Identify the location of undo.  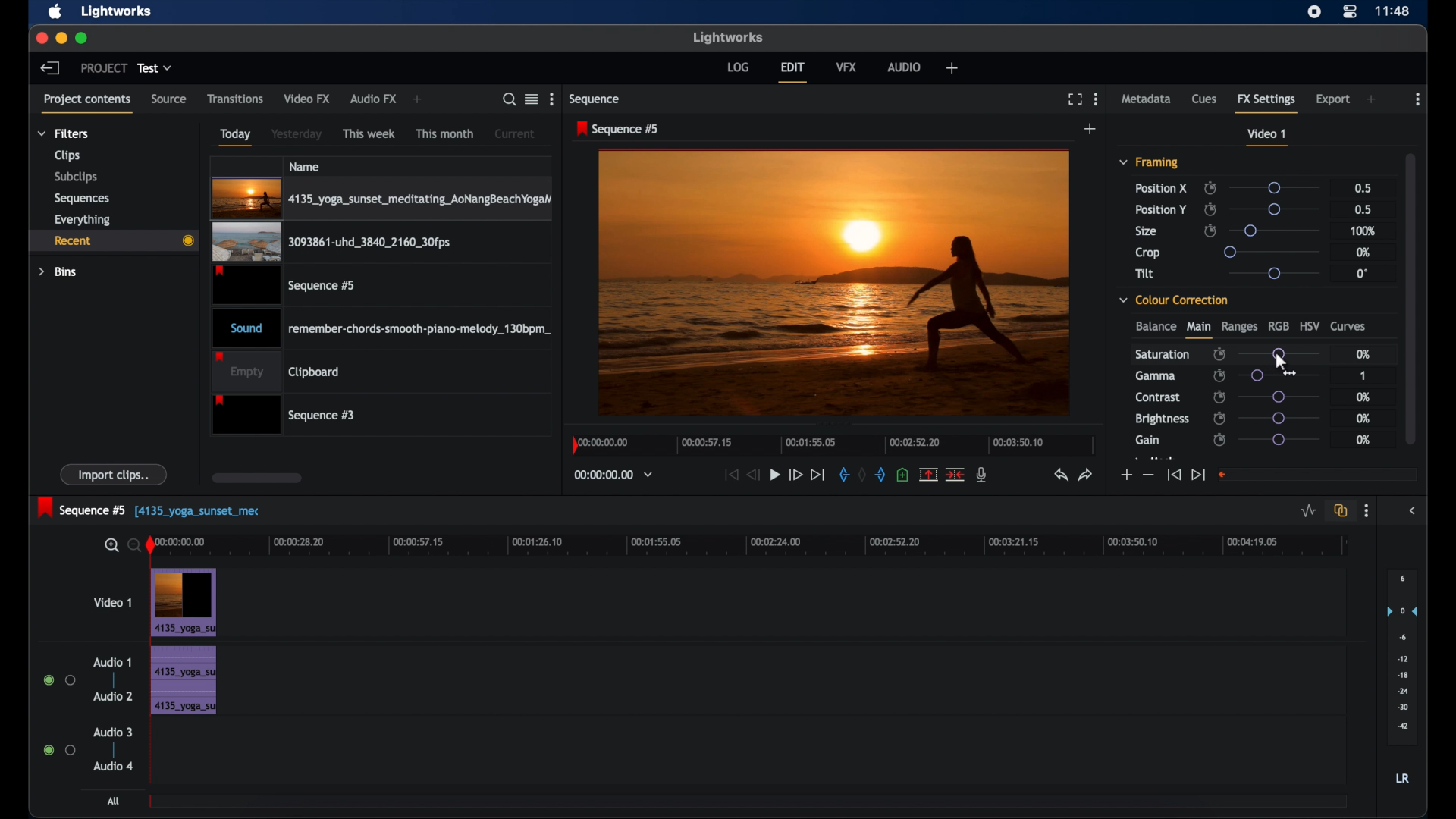
(1061, 475).